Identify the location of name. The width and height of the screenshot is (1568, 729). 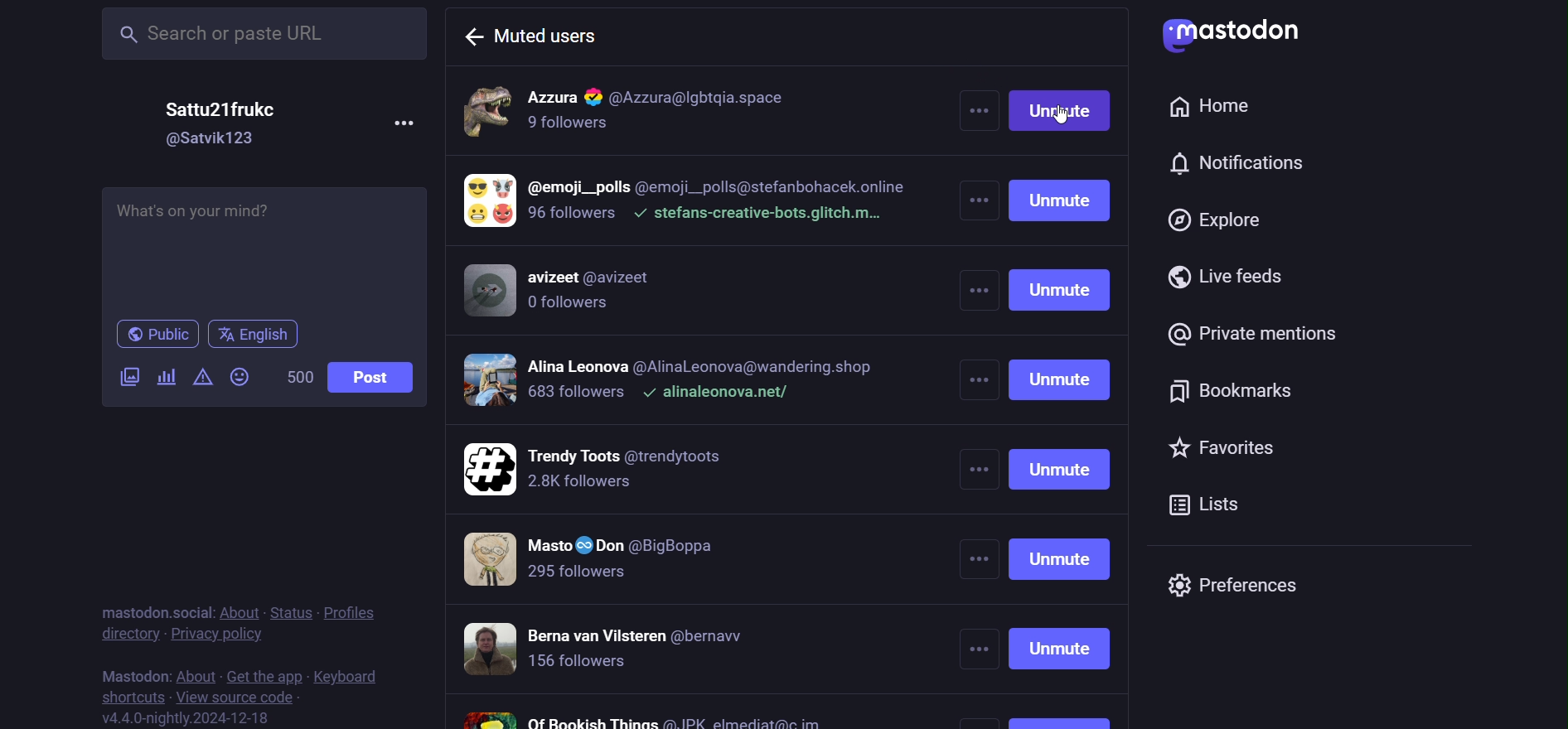
(226, 110).